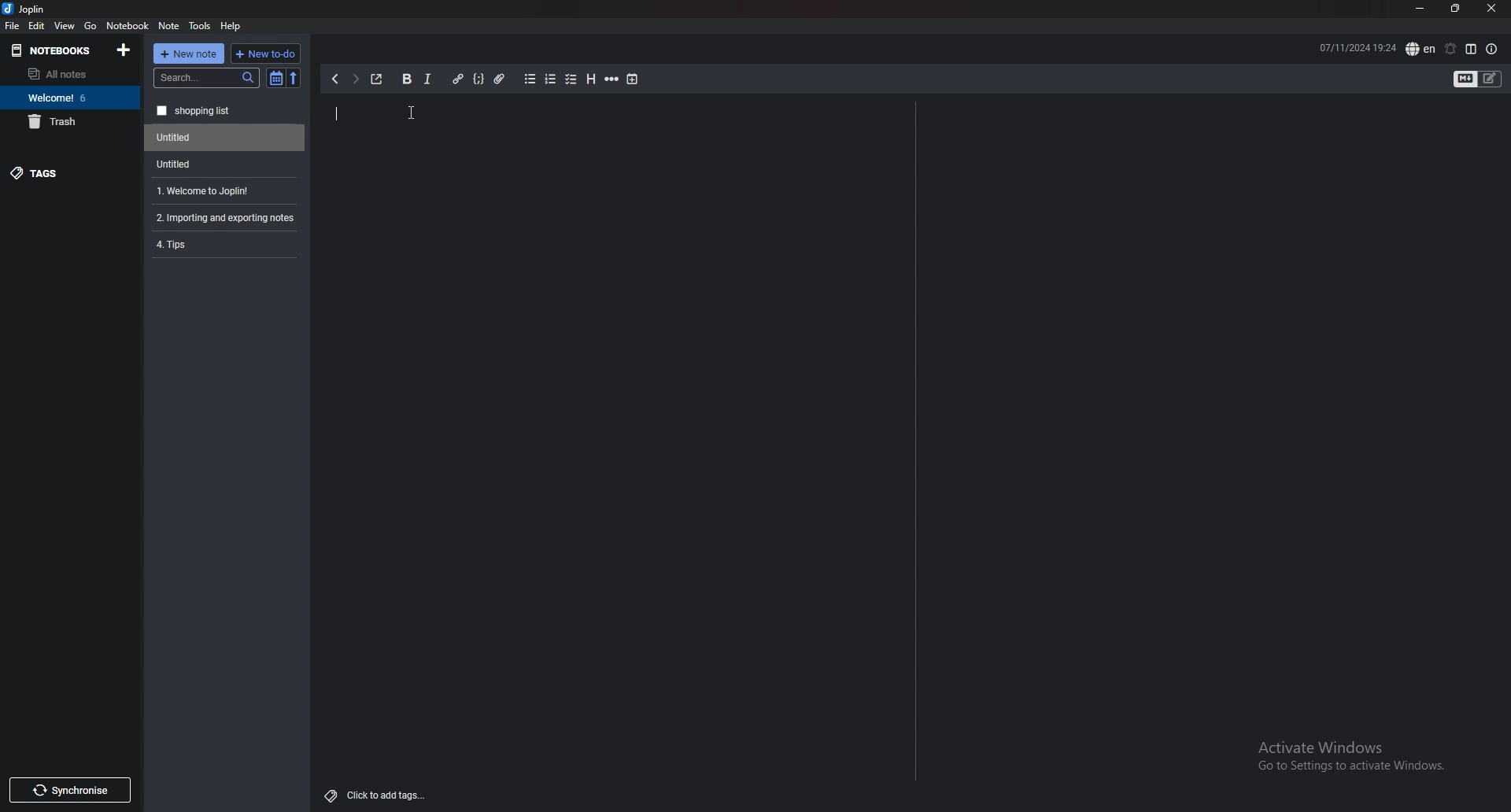 The height and width of the screenshot is (812, 1511). I want to click on Importing and exporting notes, so click(227, 218).